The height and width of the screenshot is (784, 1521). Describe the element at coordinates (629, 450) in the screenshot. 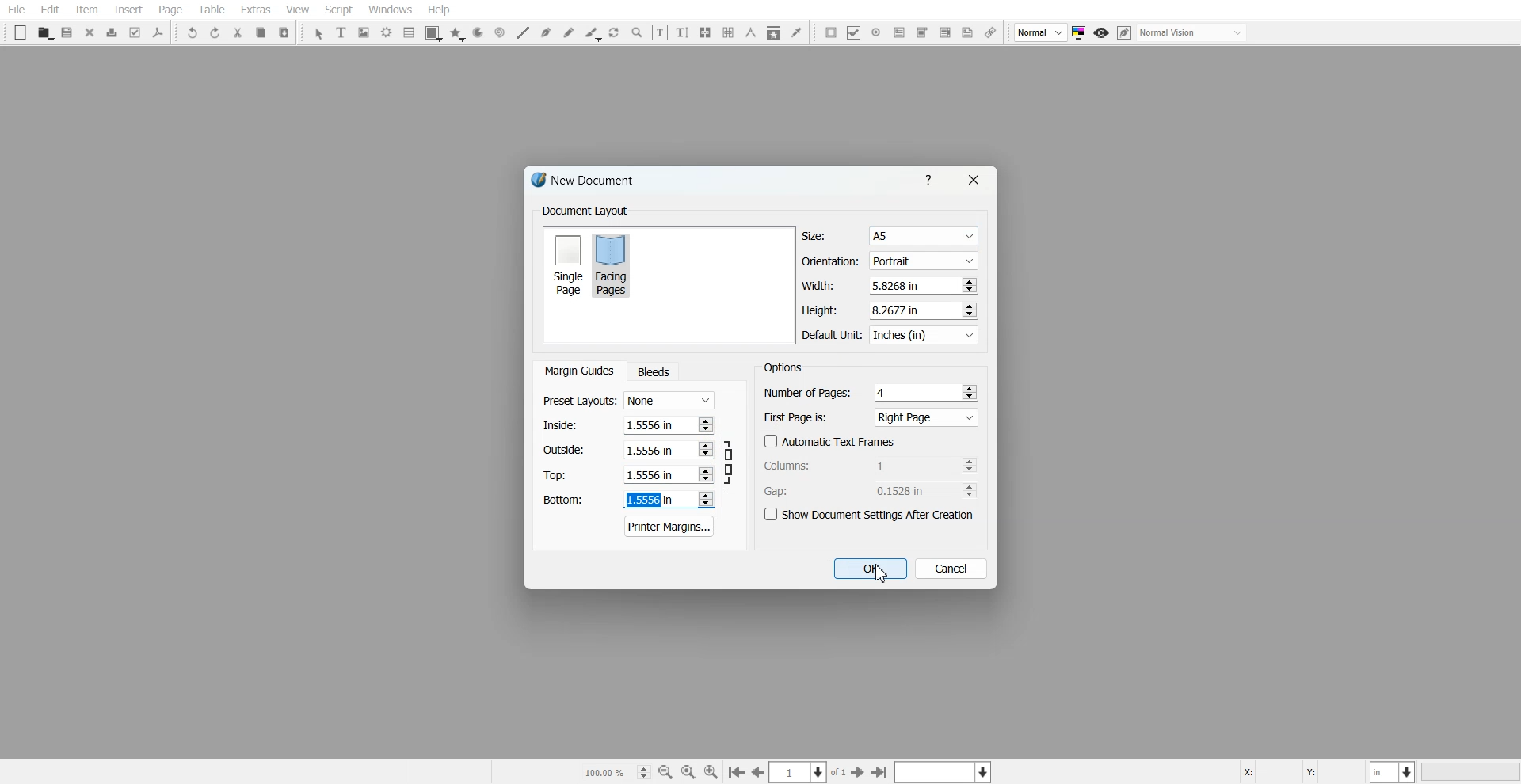

I see `Right margin adjuster` at that location.